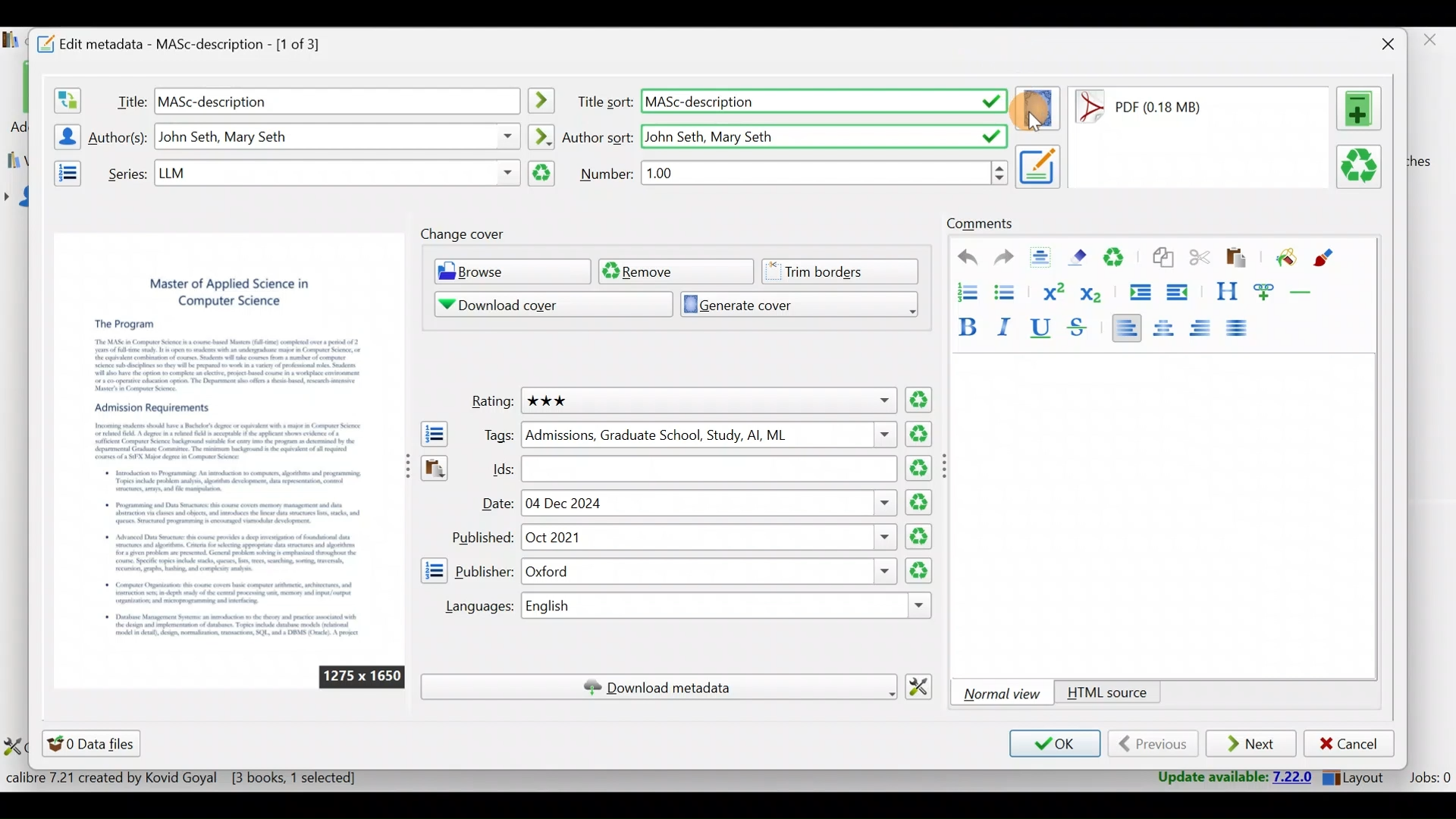  I want to click on Author sort, so click(541, 134).